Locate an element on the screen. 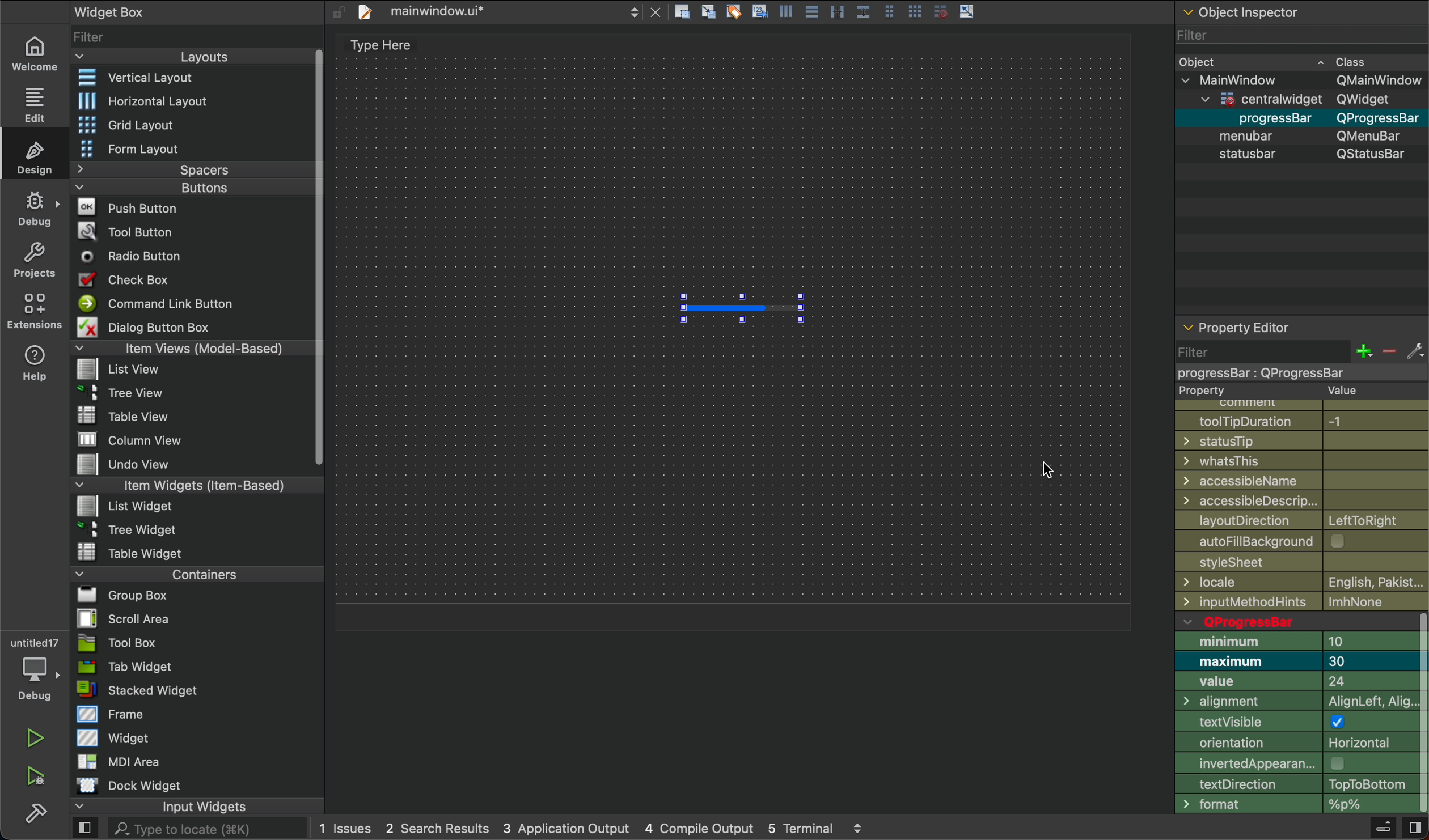 The height and width of the screenshot is (840, 1429). widget list is located at coordinates (191, 35).